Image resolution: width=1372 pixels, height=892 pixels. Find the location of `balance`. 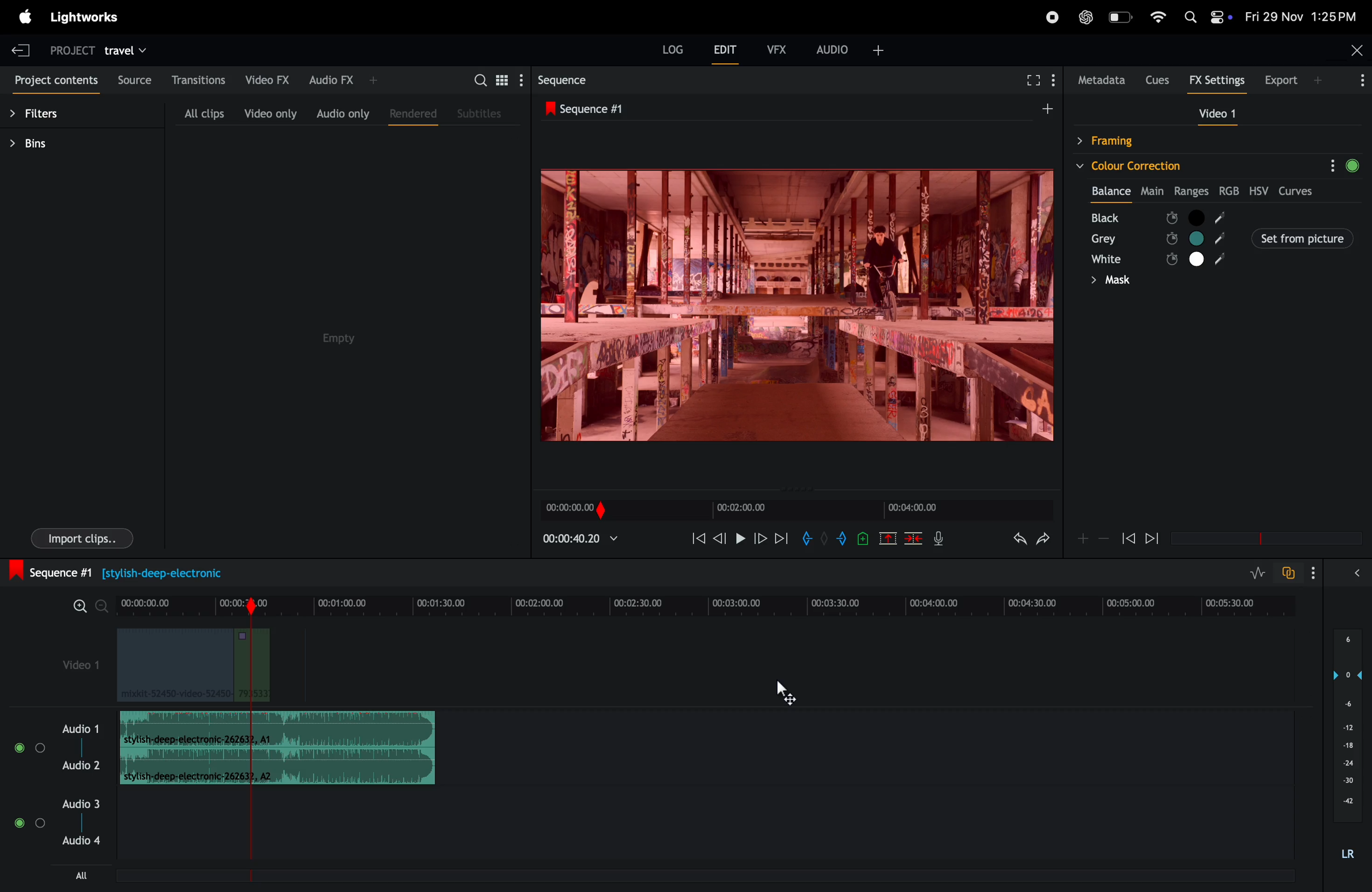

balance is located at coordinates (1111, 189).